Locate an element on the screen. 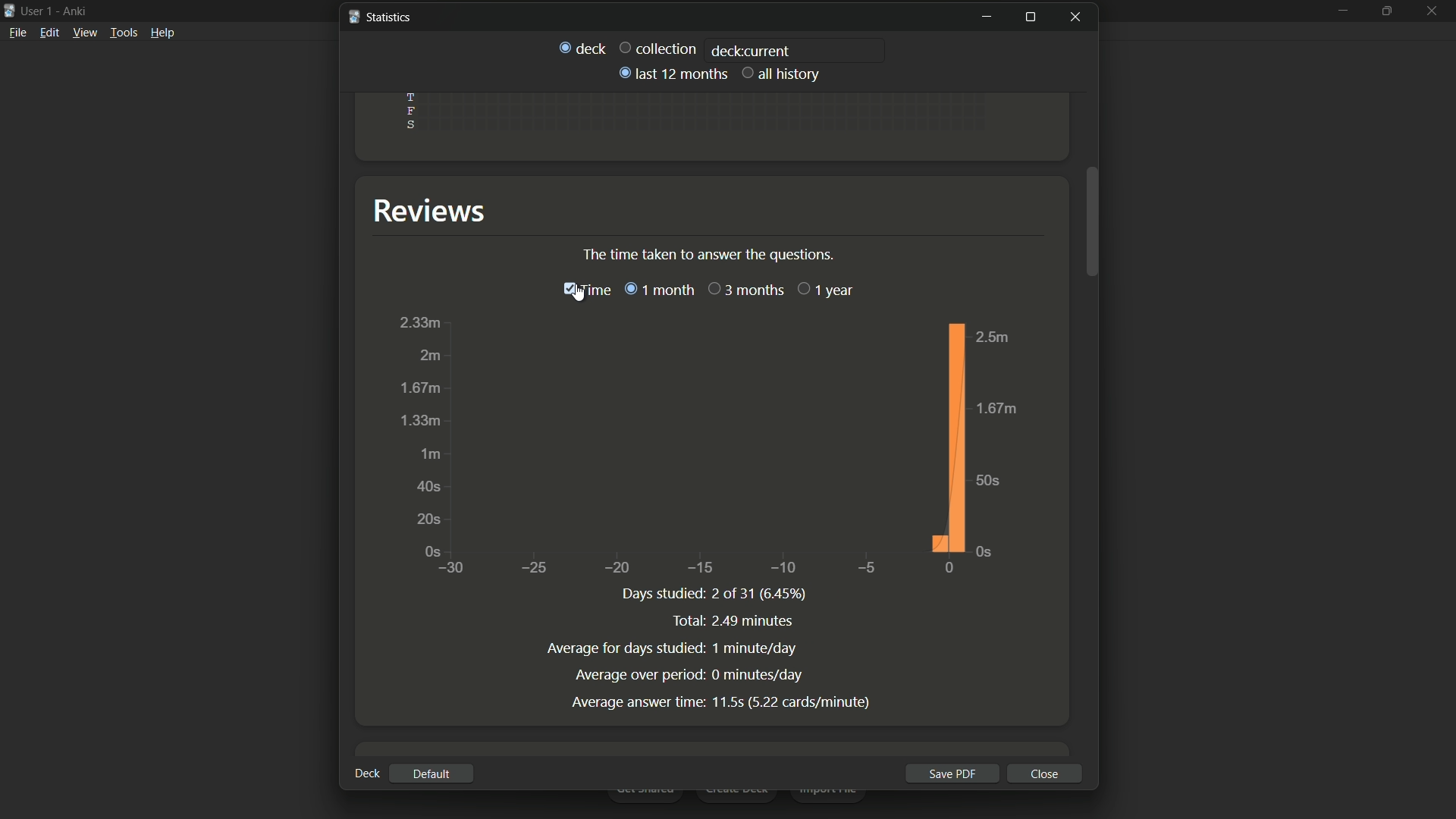  average answer time is located at coordinates (638, 702).